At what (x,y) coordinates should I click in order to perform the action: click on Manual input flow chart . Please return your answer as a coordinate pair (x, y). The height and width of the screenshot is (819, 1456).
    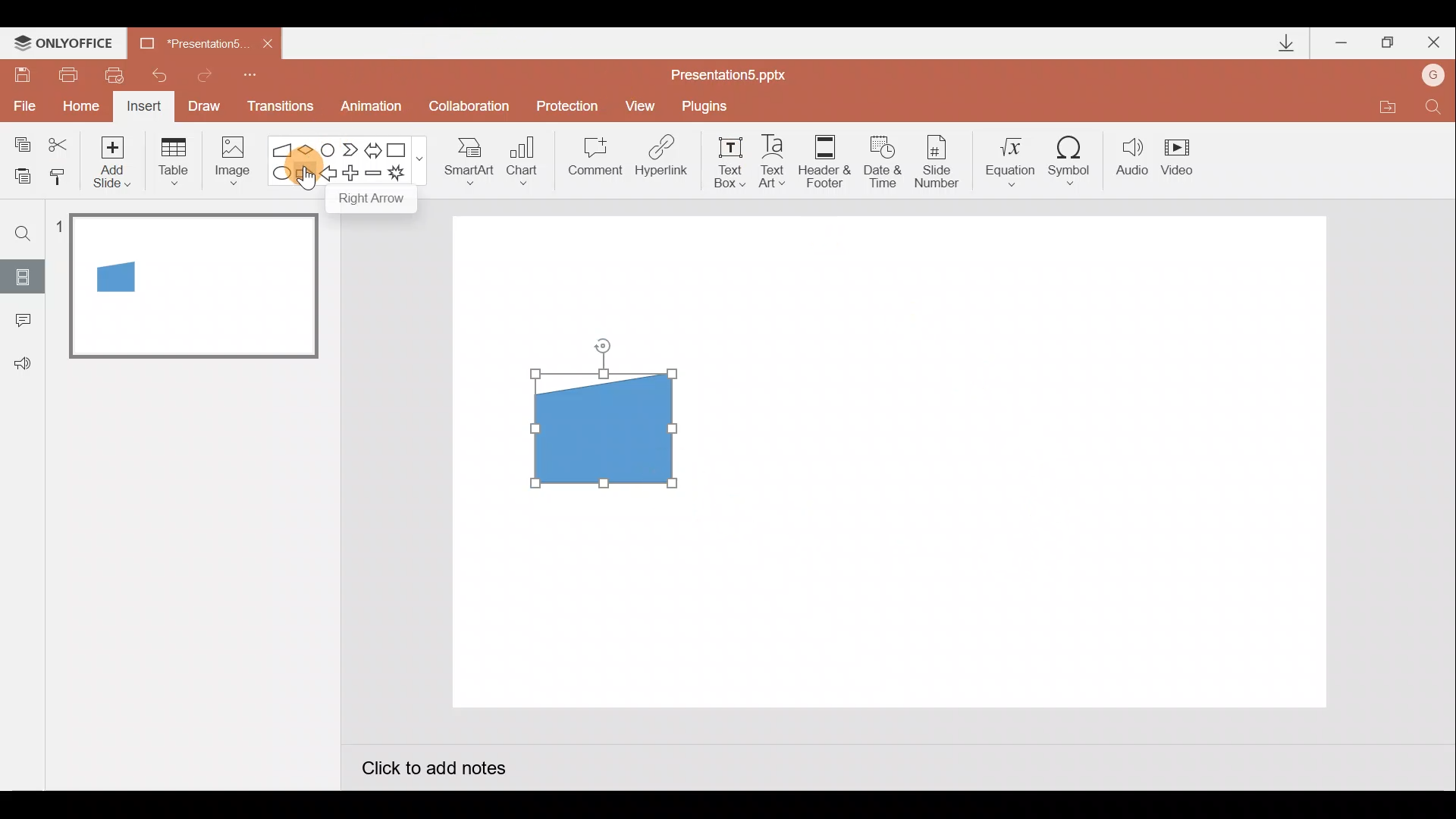
    Looking at the image, I should click on (600, 426).